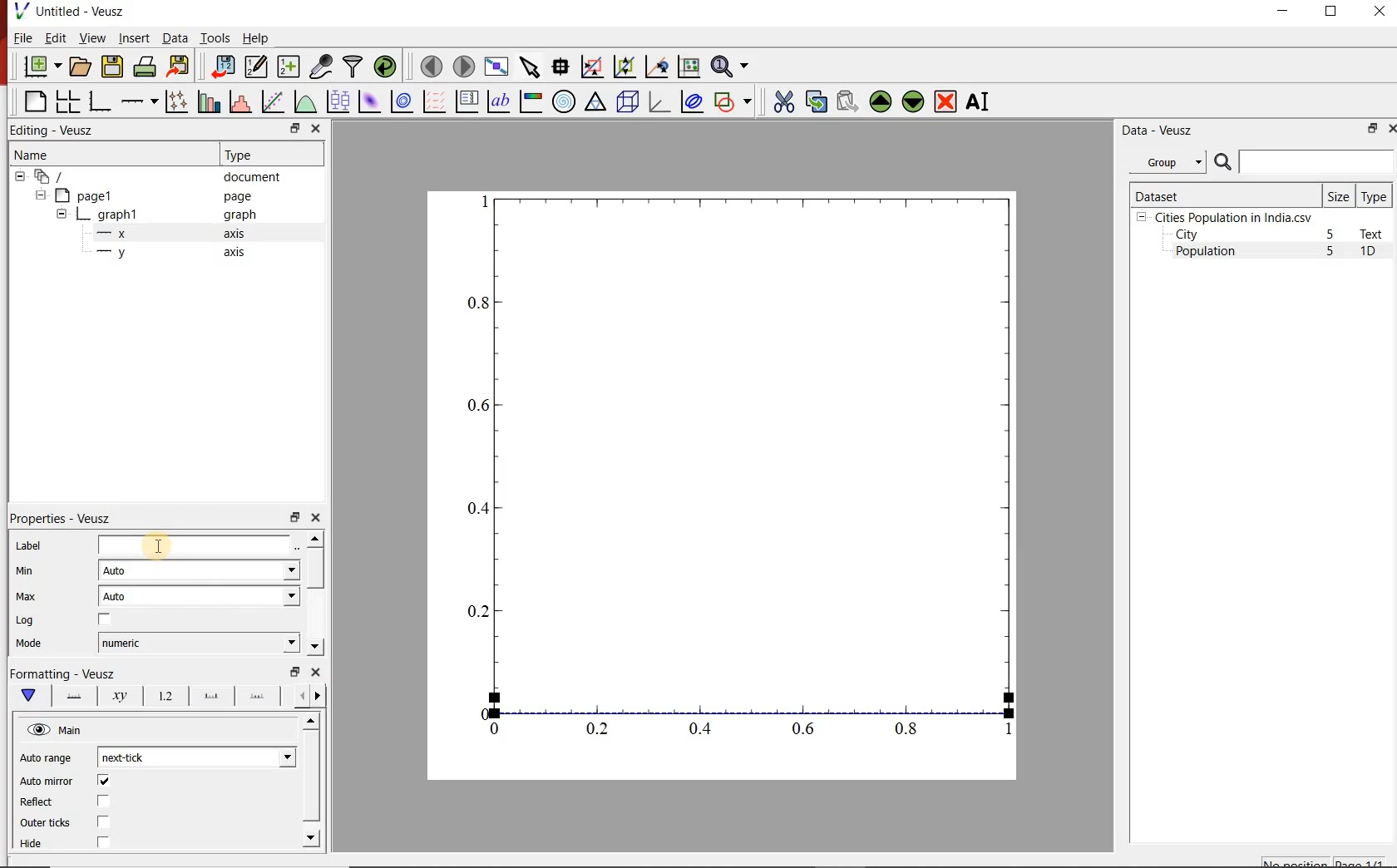 This screenshot has height=868, width=1397. I want to click on click to reset graph axes, so click(689, 66).